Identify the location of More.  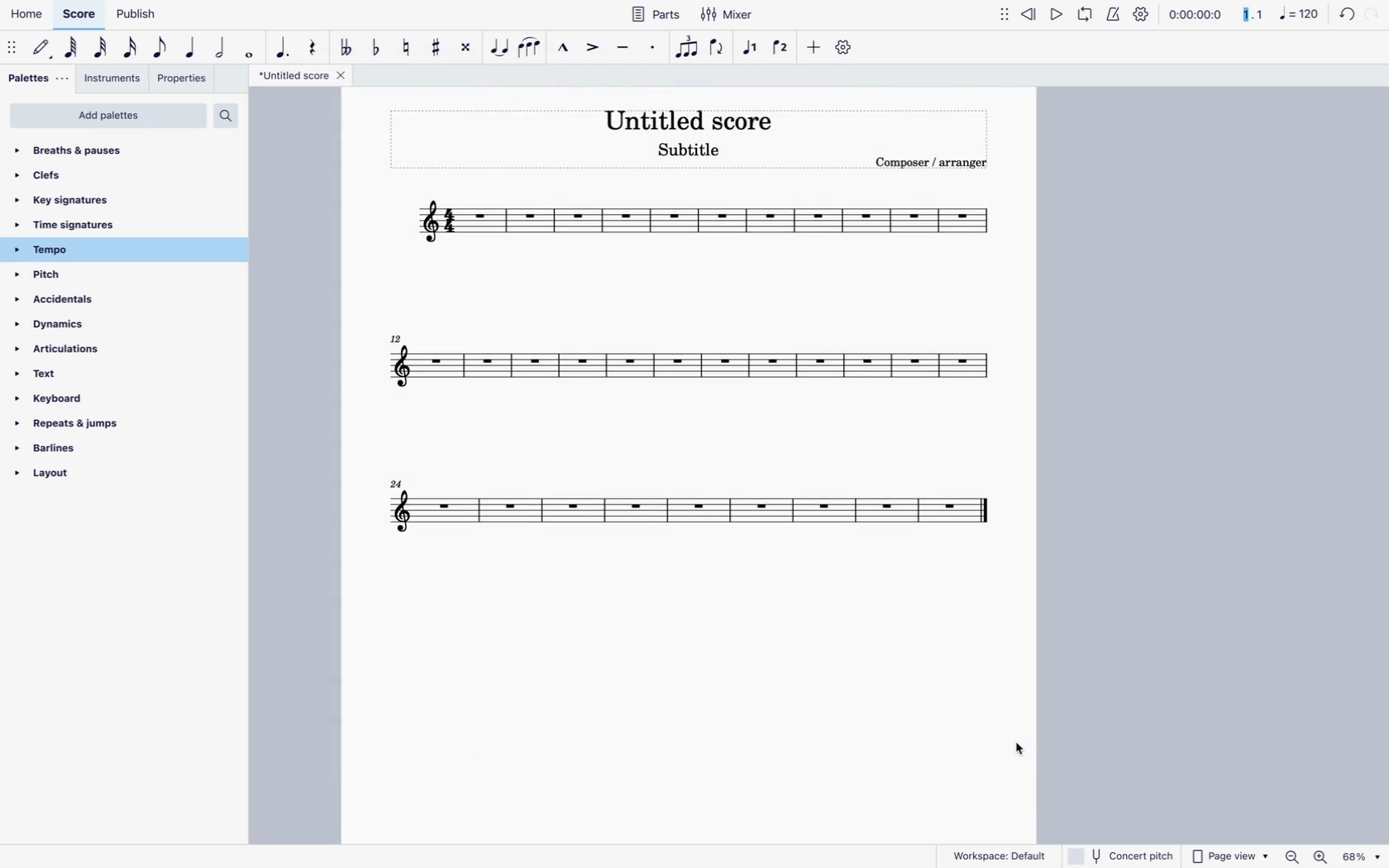
(1002, 15).